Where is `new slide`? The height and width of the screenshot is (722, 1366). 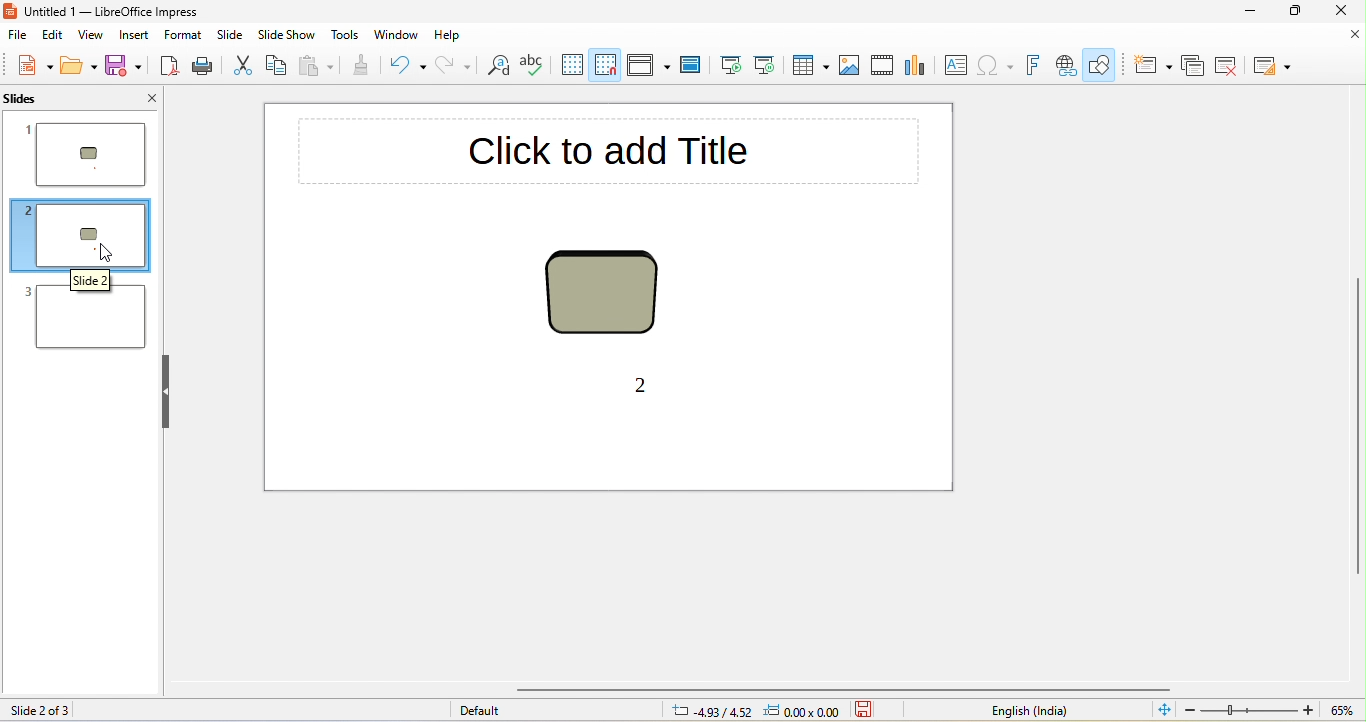
new slide is located at coordinates (1151, 64).